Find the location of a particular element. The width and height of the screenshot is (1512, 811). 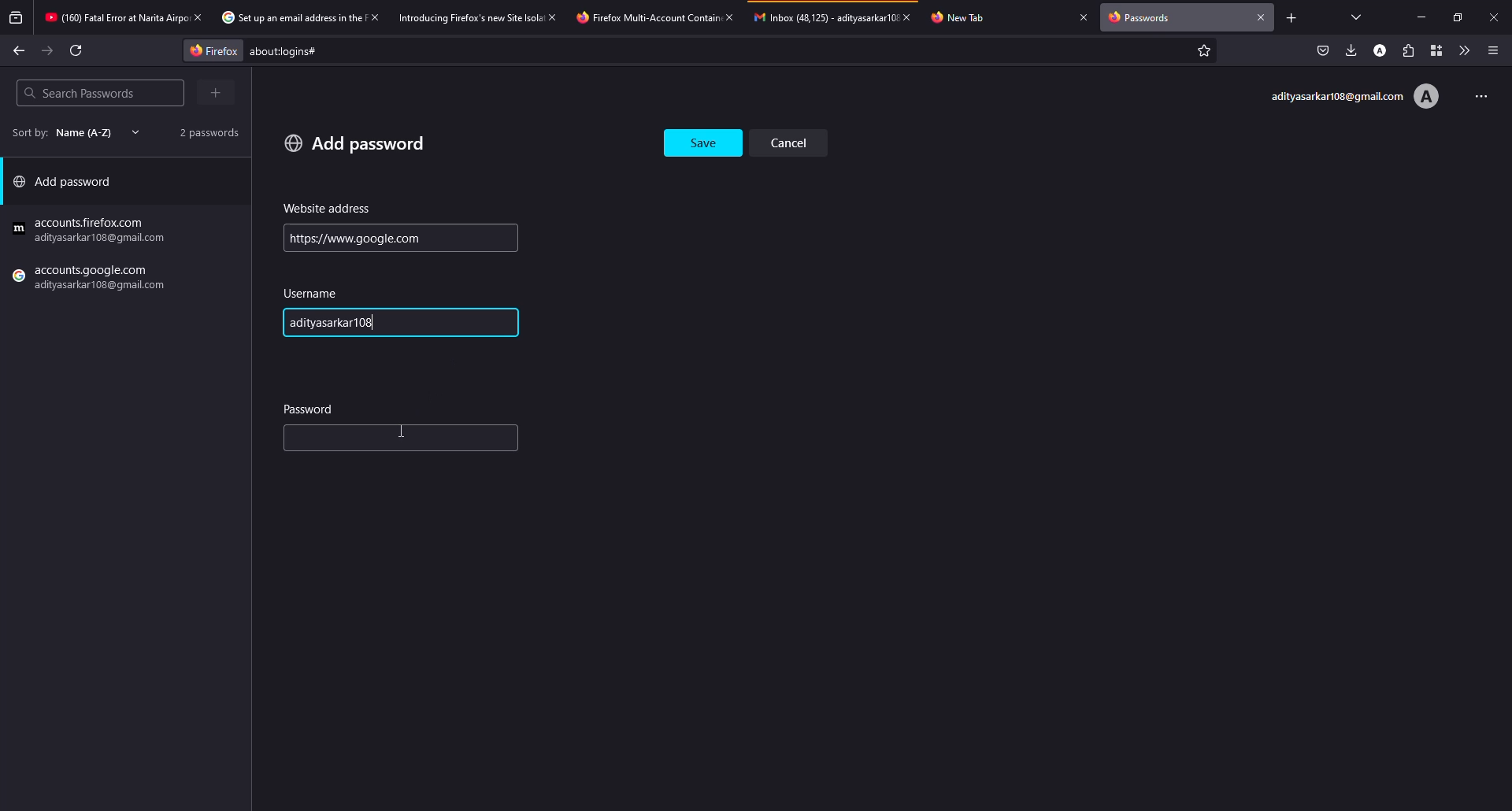

forward is located at coordinates (48, 51).